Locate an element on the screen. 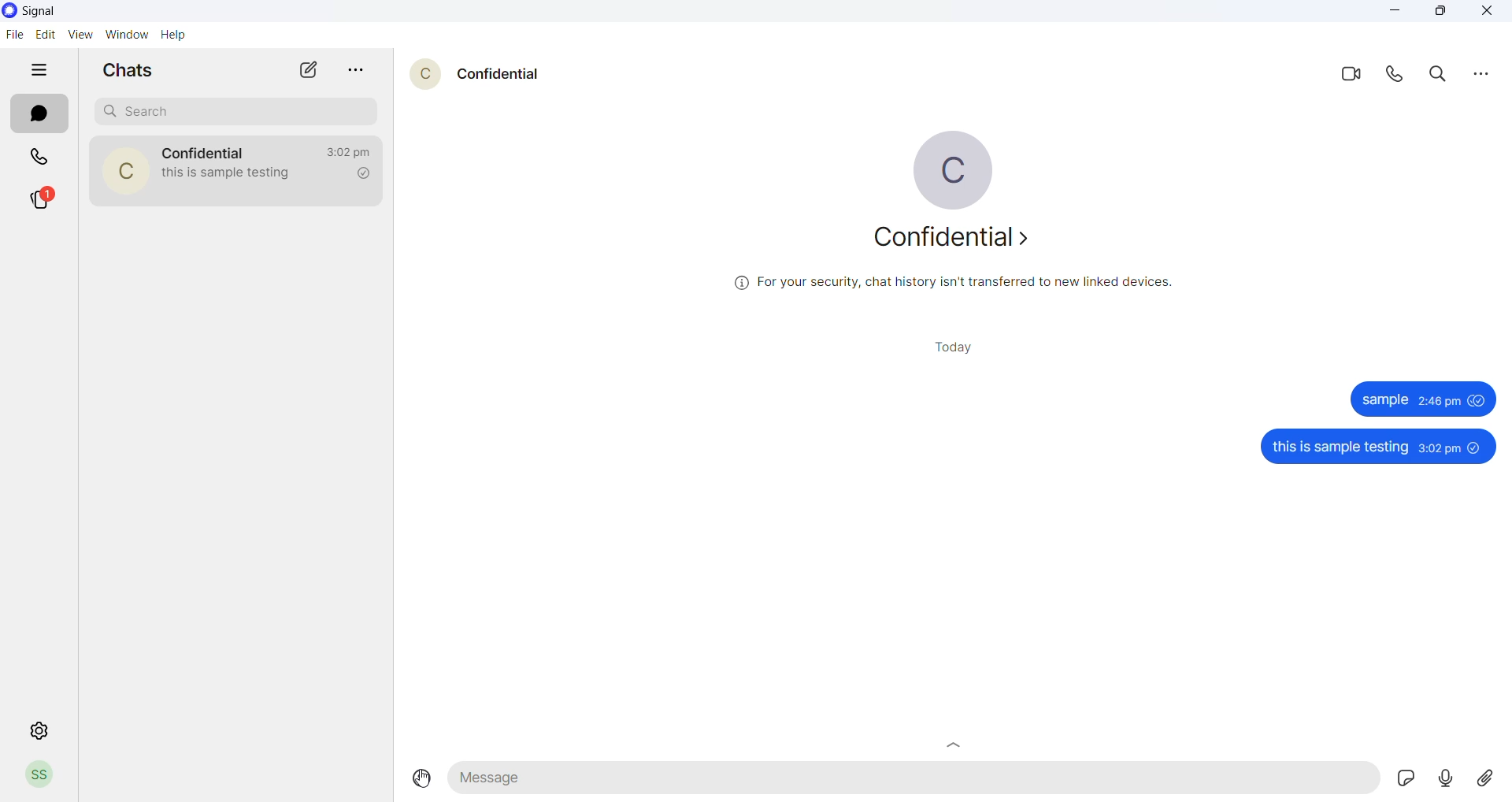 This screenshot has height=802, width=1512. voice note is located at coordinates (1444, 777).